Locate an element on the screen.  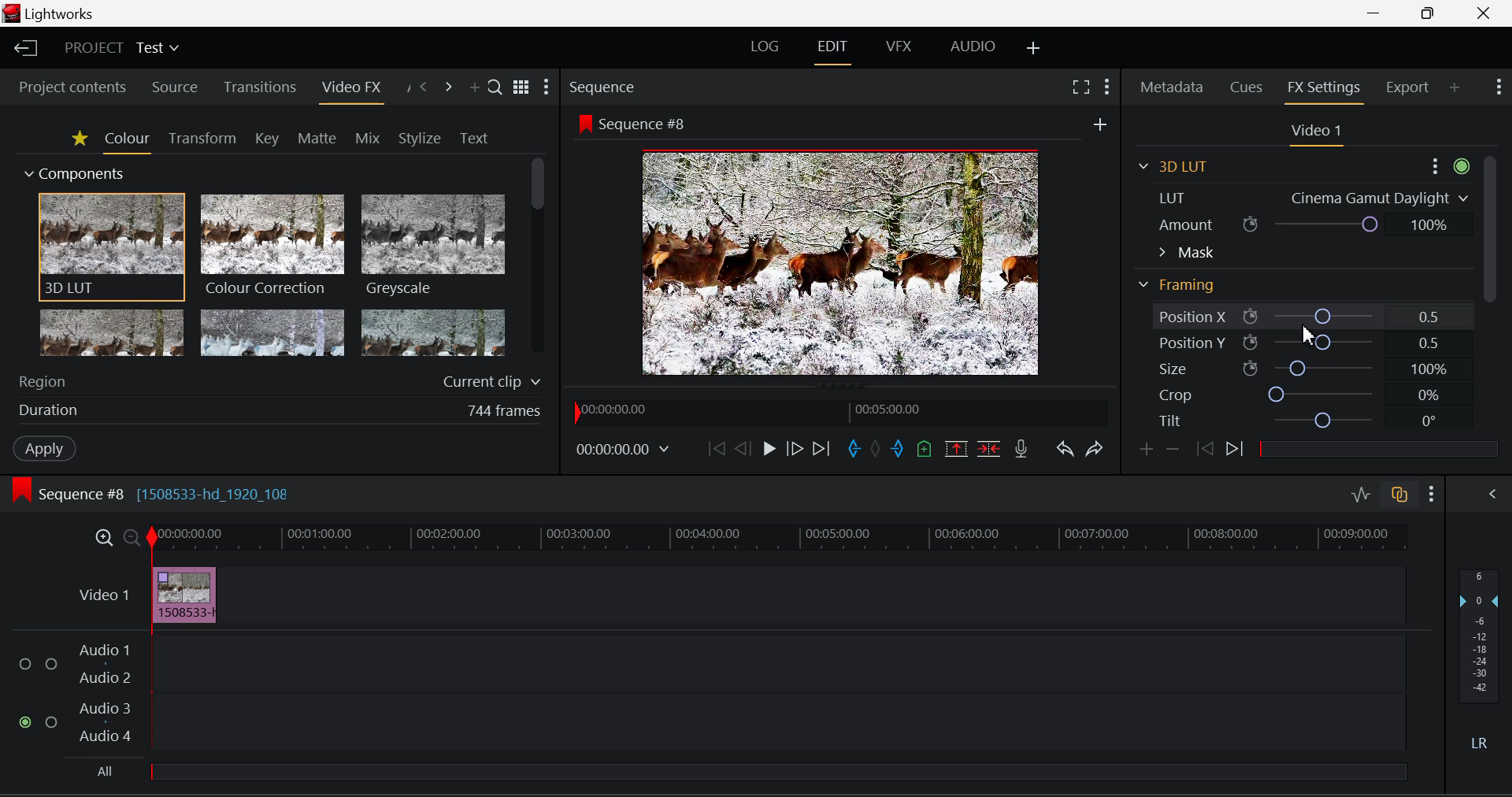
Effect duration is located at coordinates (277, 410).